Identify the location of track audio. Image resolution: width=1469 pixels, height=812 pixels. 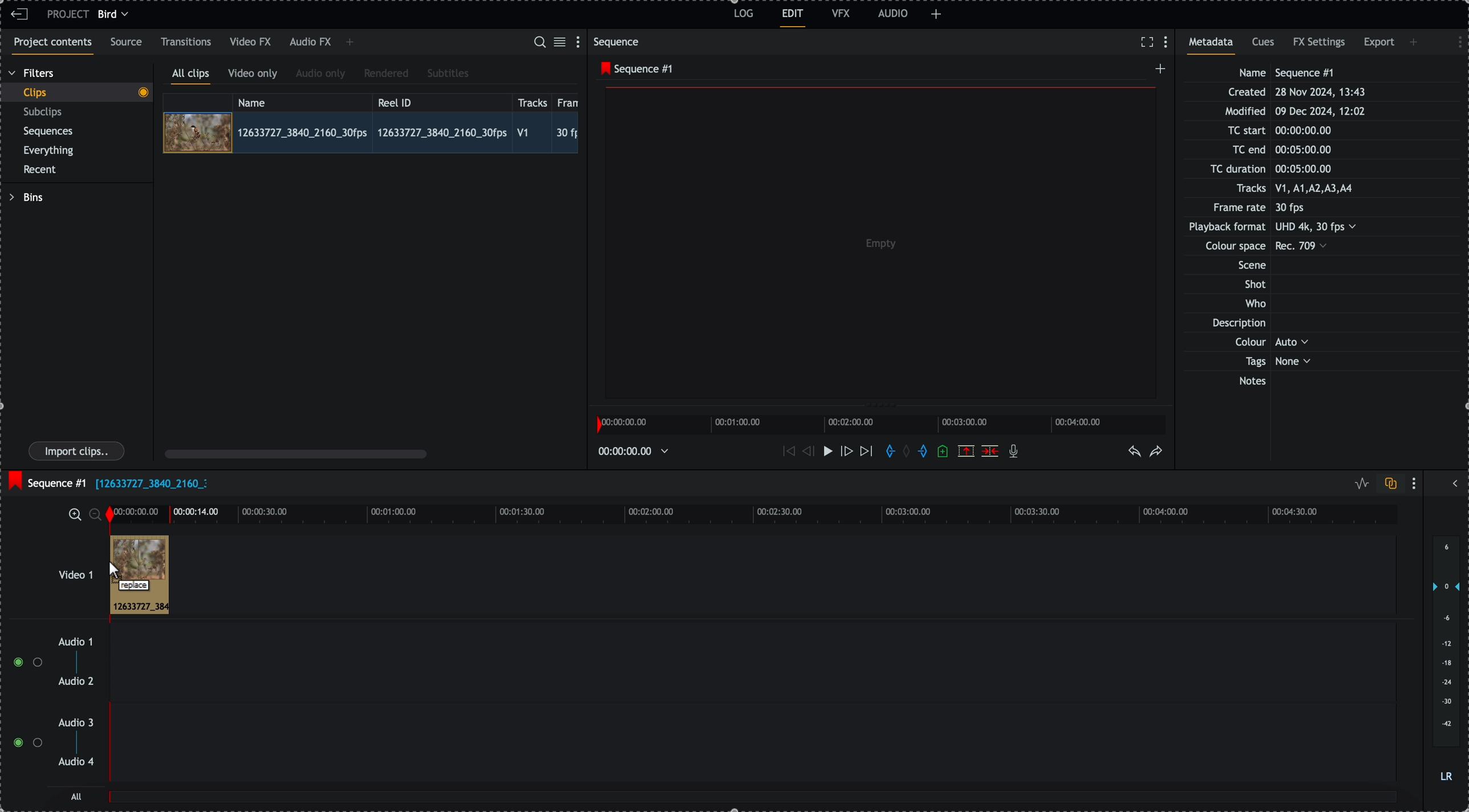
(752, 749).